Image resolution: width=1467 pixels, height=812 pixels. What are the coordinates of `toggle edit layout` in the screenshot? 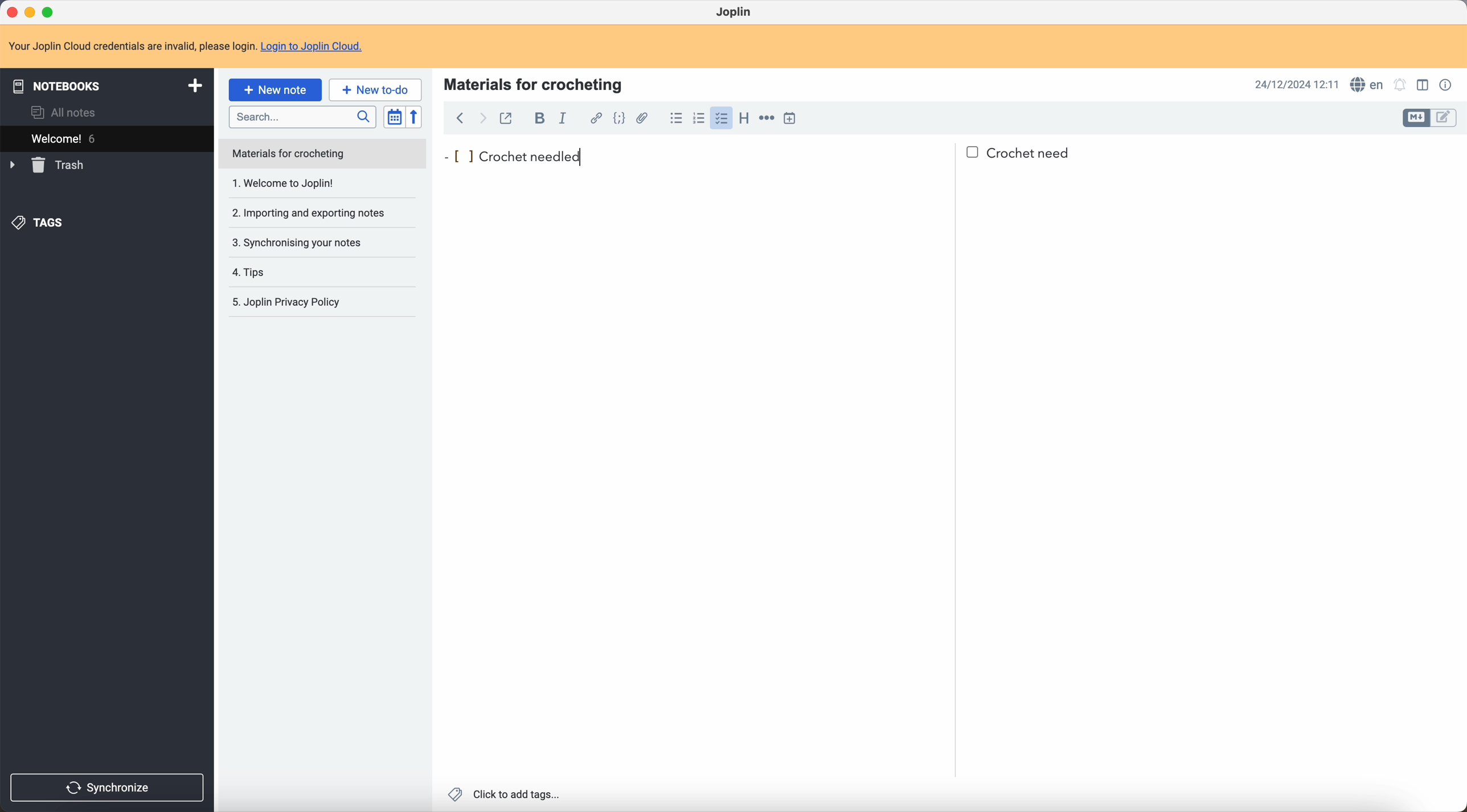 It's located at (1416, 118).